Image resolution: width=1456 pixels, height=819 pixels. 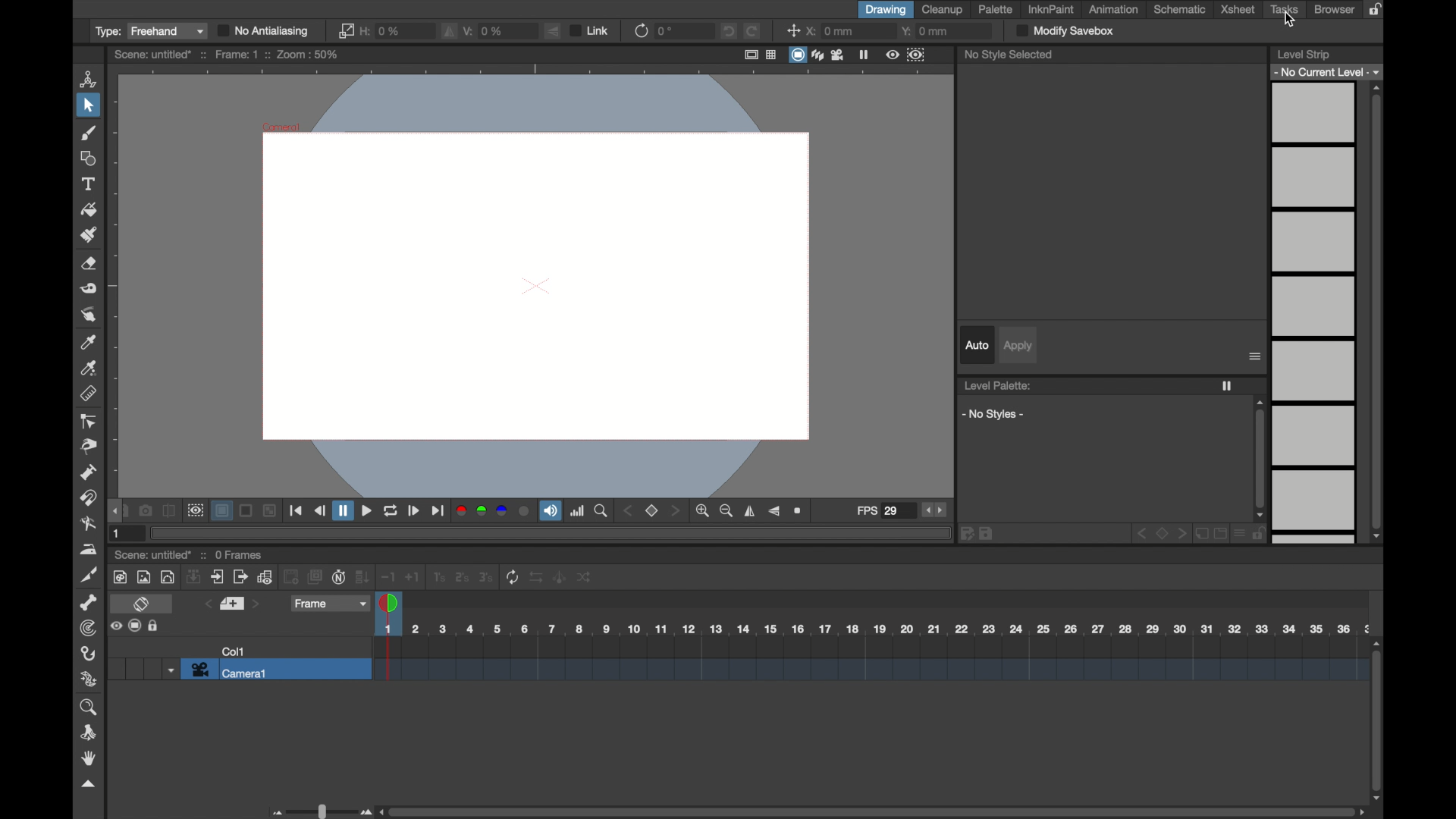 I want to click on camera stand view, so click(x=795, y=54).